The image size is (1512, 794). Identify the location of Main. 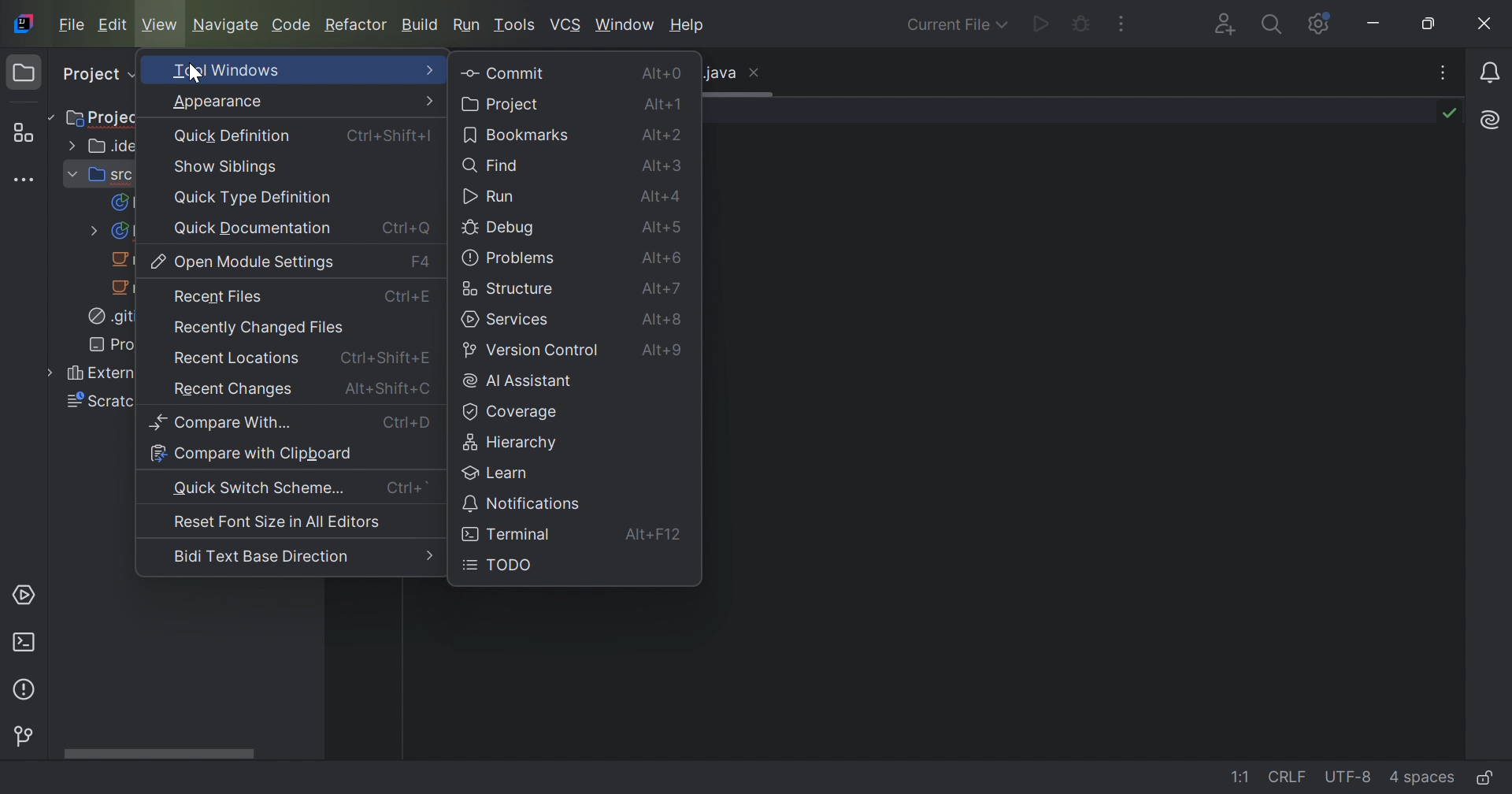
(120, 202).